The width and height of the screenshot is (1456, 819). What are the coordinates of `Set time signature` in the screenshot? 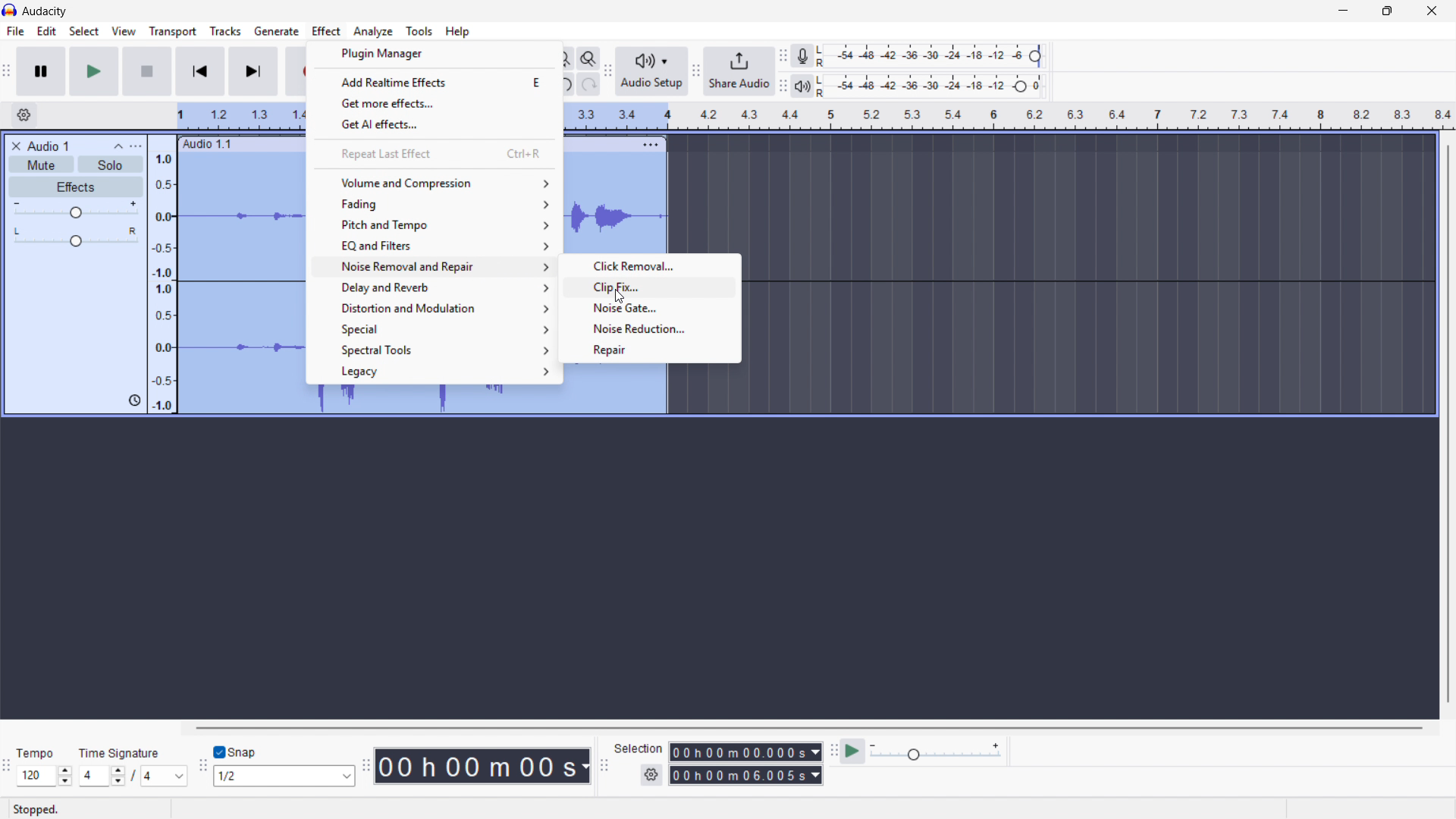 It's located at (133, 765).